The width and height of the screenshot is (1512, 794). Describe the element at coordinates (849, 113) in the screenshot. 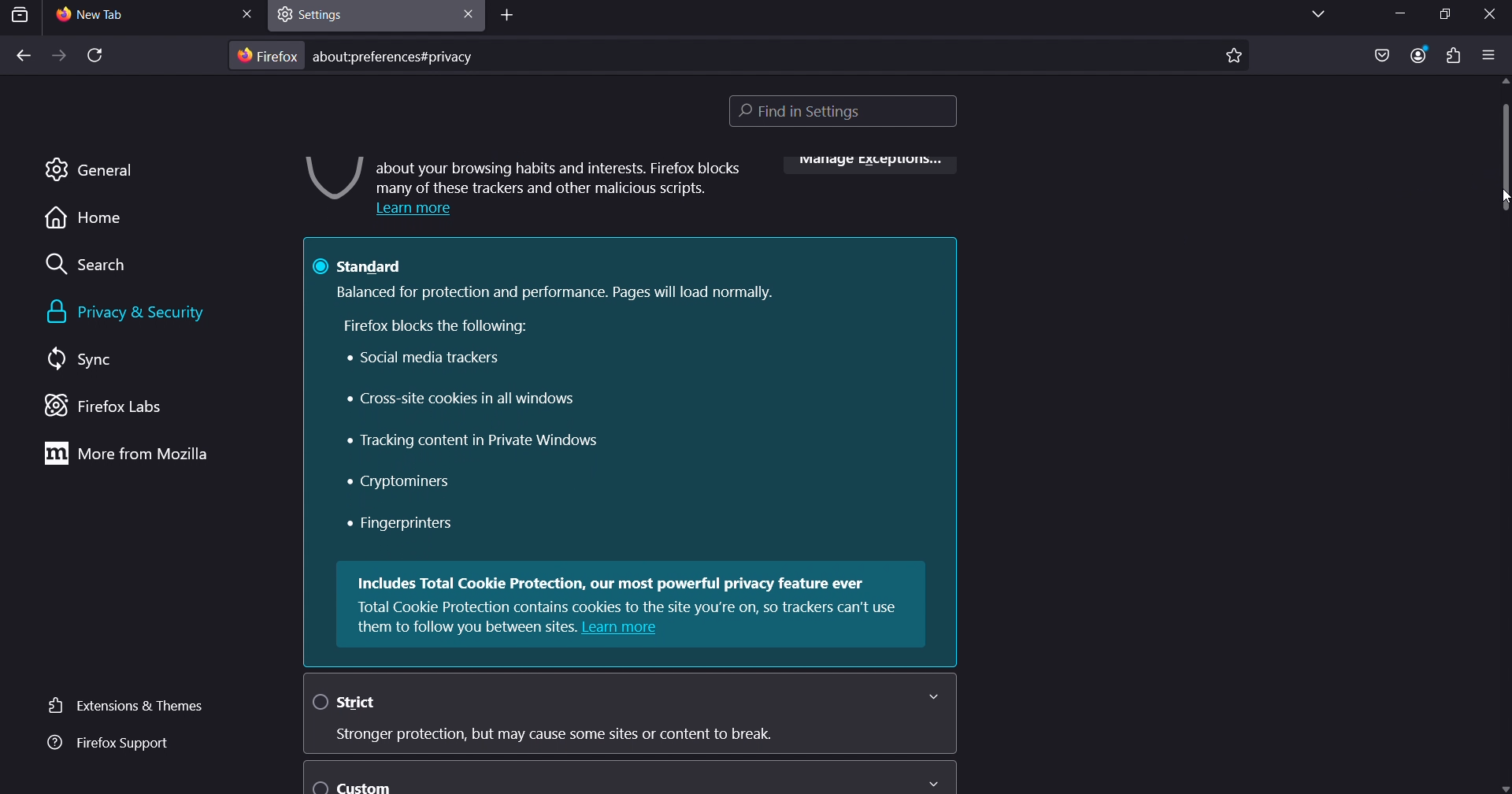

I see `find in settings` at that location.